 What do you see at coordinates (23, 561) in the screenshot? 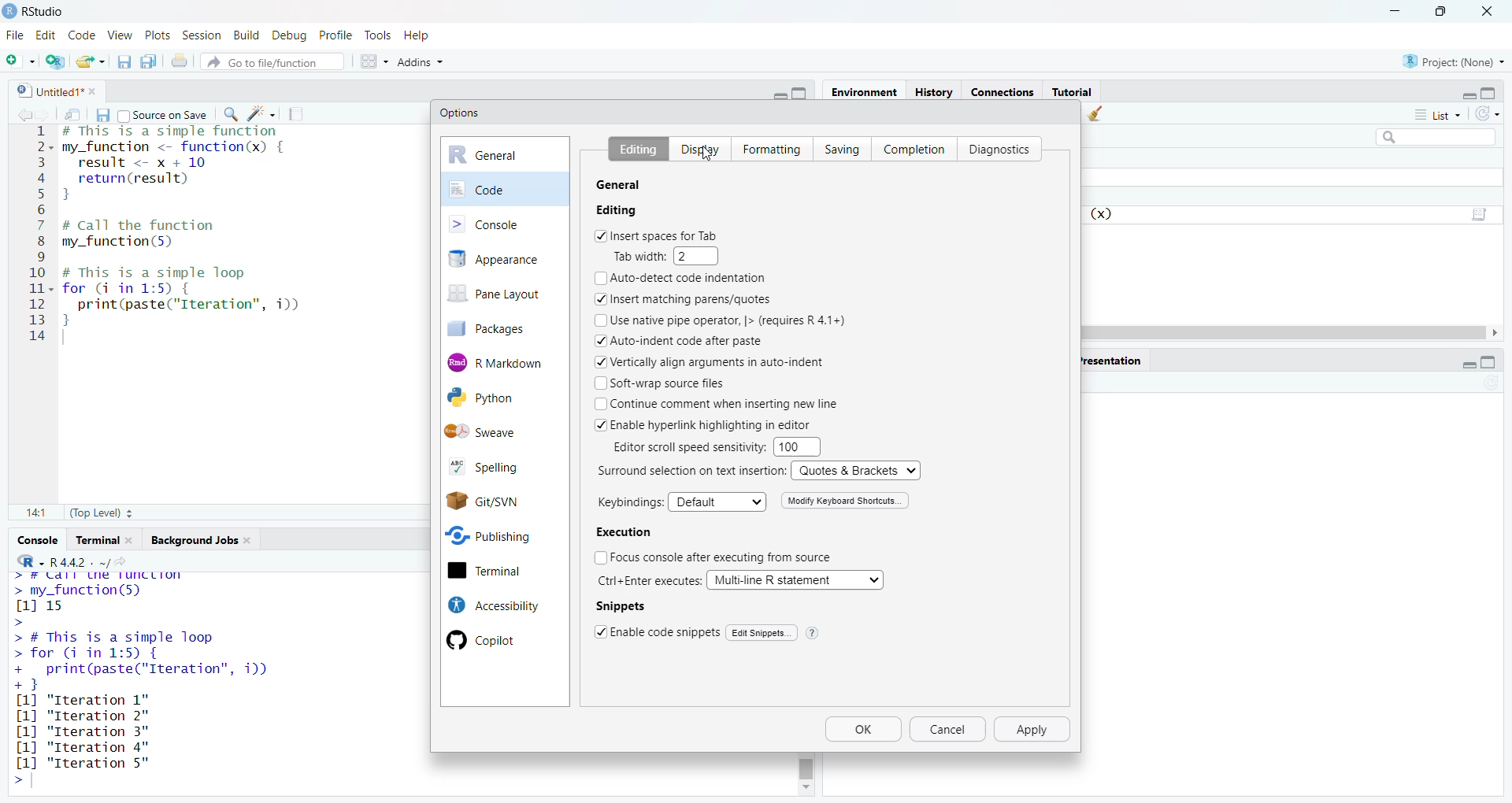
I see `language select` at bounding box center [23, 561].